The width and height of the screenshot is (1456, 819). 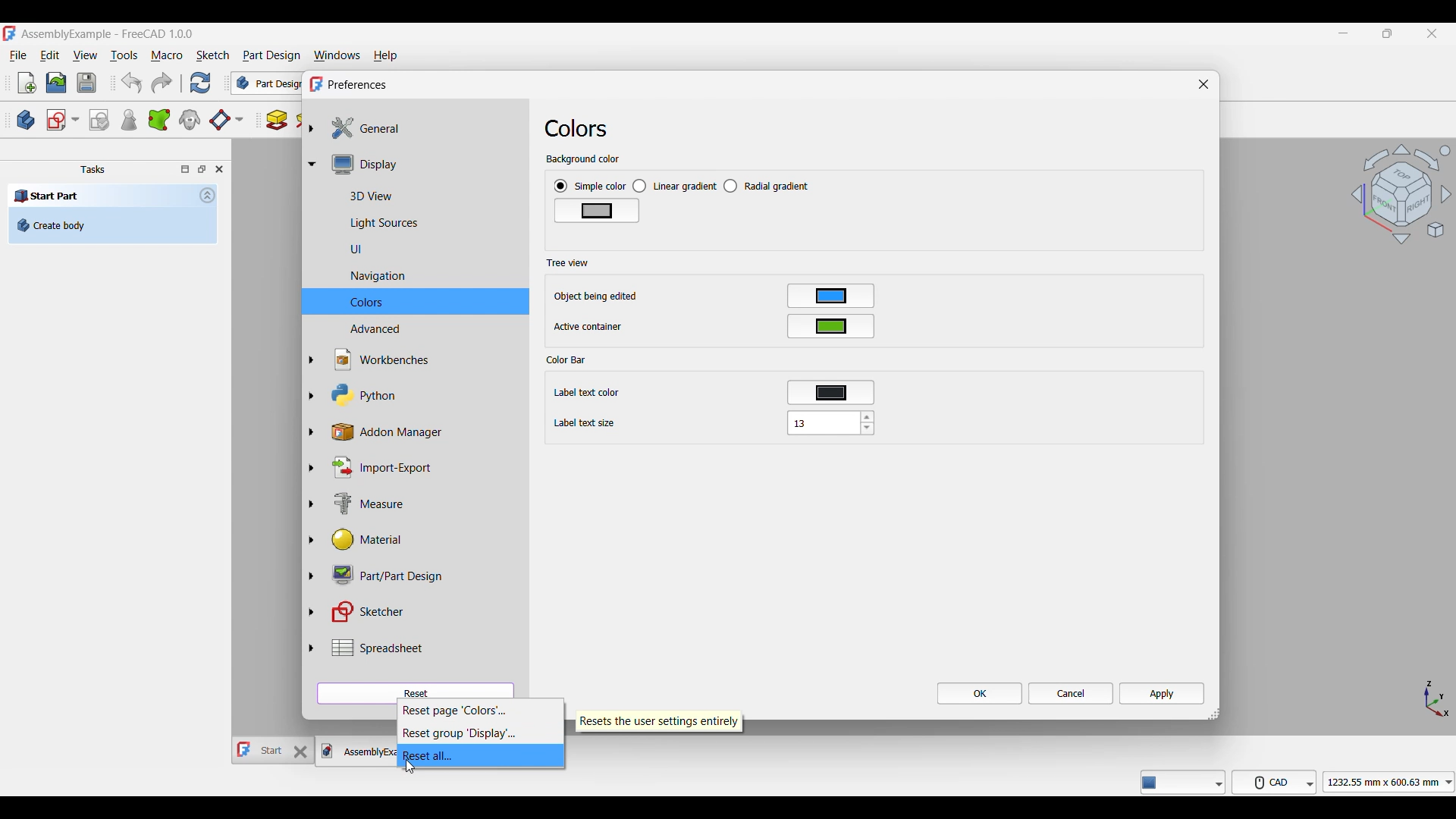 I want to click on Reset, so click(x=415, y=690).